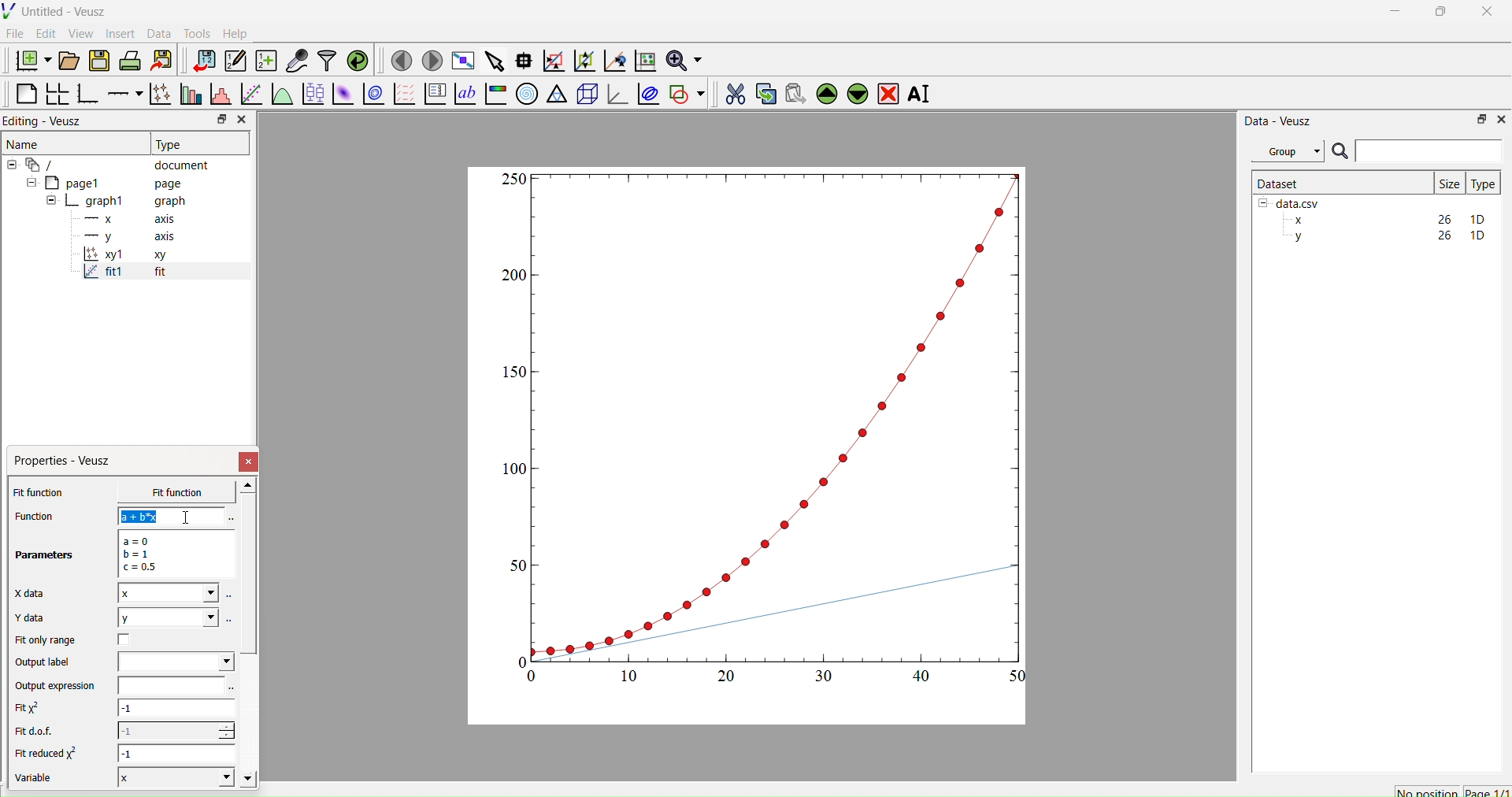 This screenshot has height=797, width=1512. I want to click on Cut, so click(730, 91).